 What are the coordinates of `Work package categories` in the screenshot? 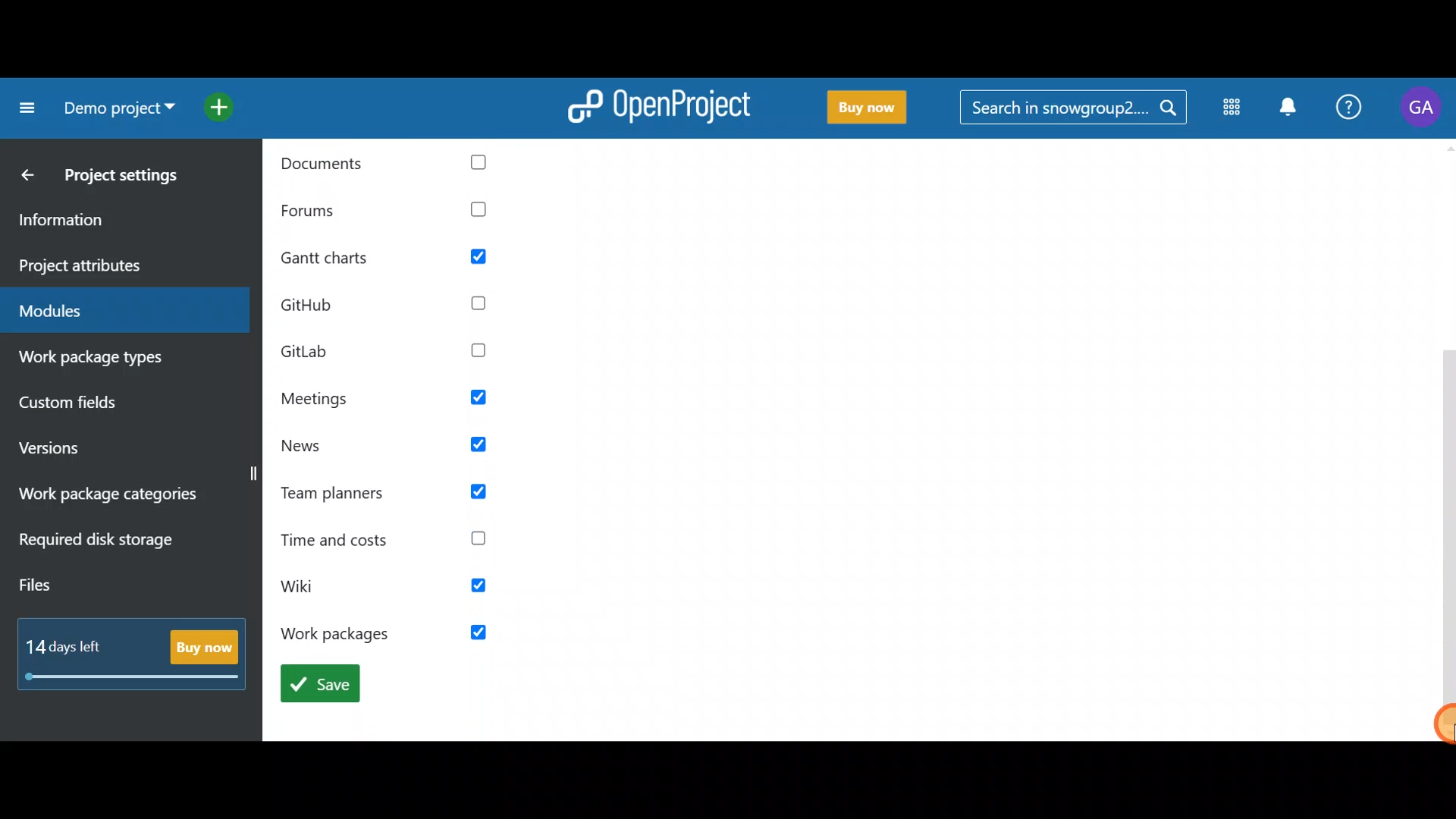 It's located at (121, 497).